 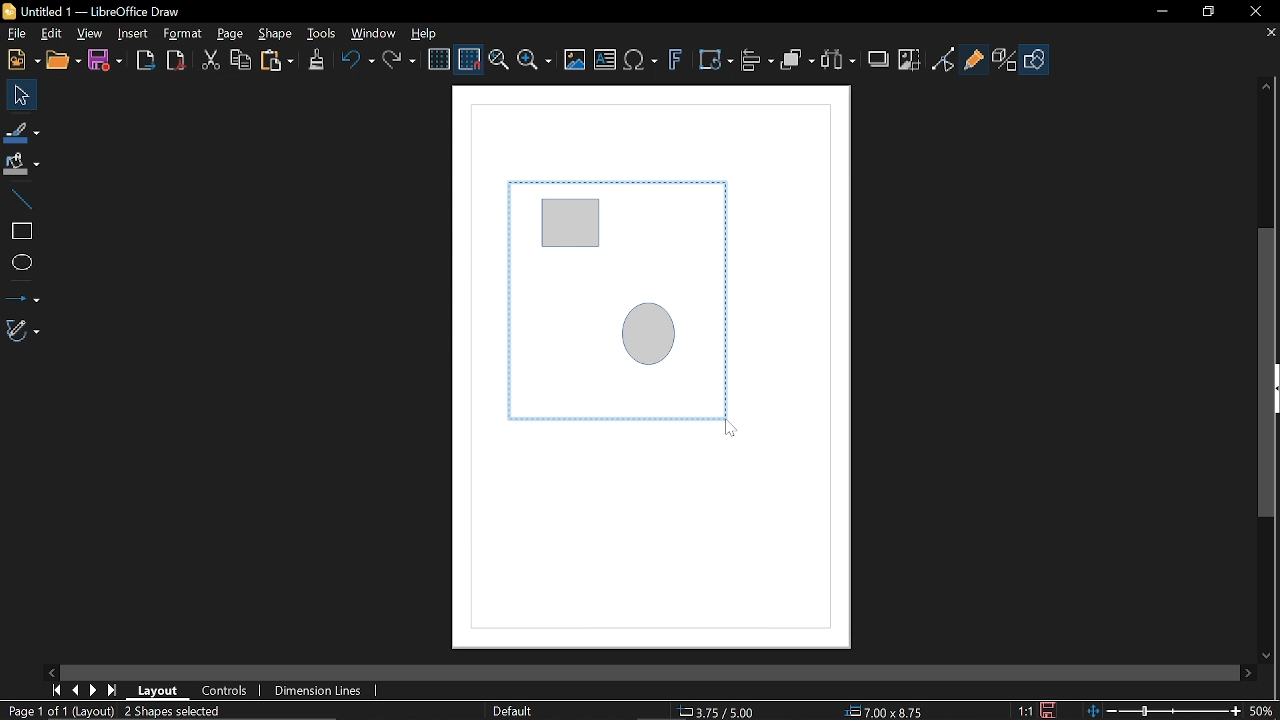 What do you see at coordinates (730, 430) in the screenshot?
I see `Cursor` at bounding box center [730, 430].